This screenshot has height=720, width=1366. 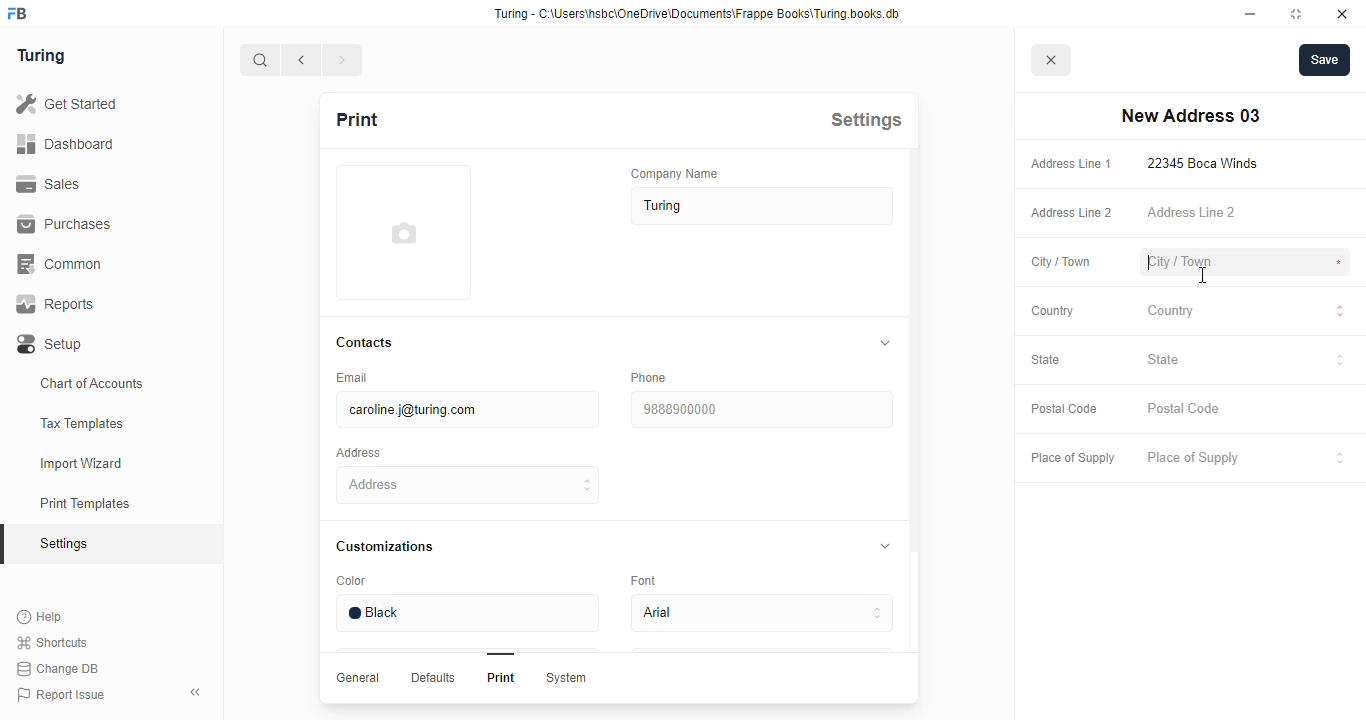 I want to click on color, so click(x=351, y=581).